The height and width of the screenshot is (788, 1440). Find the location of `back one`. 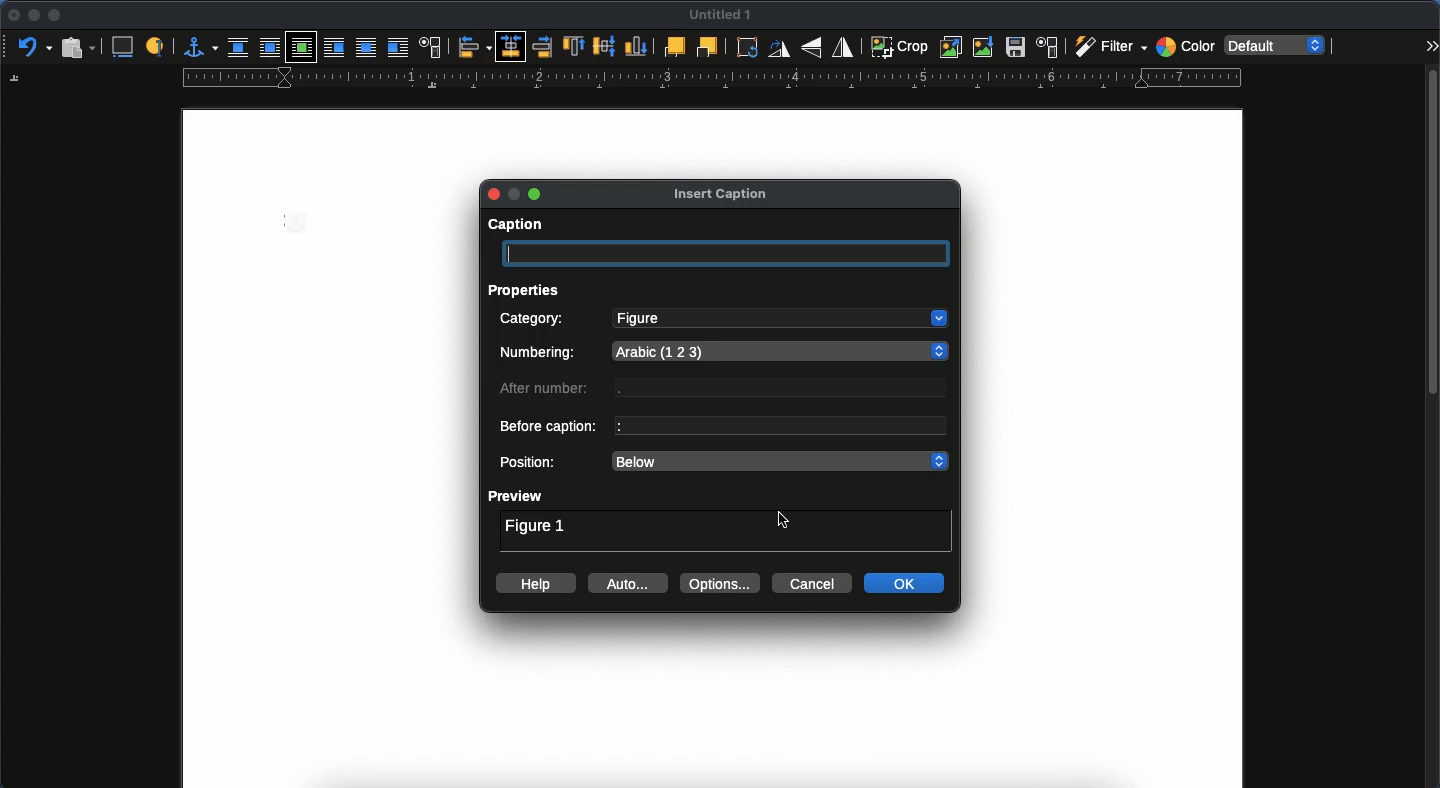

back one is located at coordinates (707, 47).